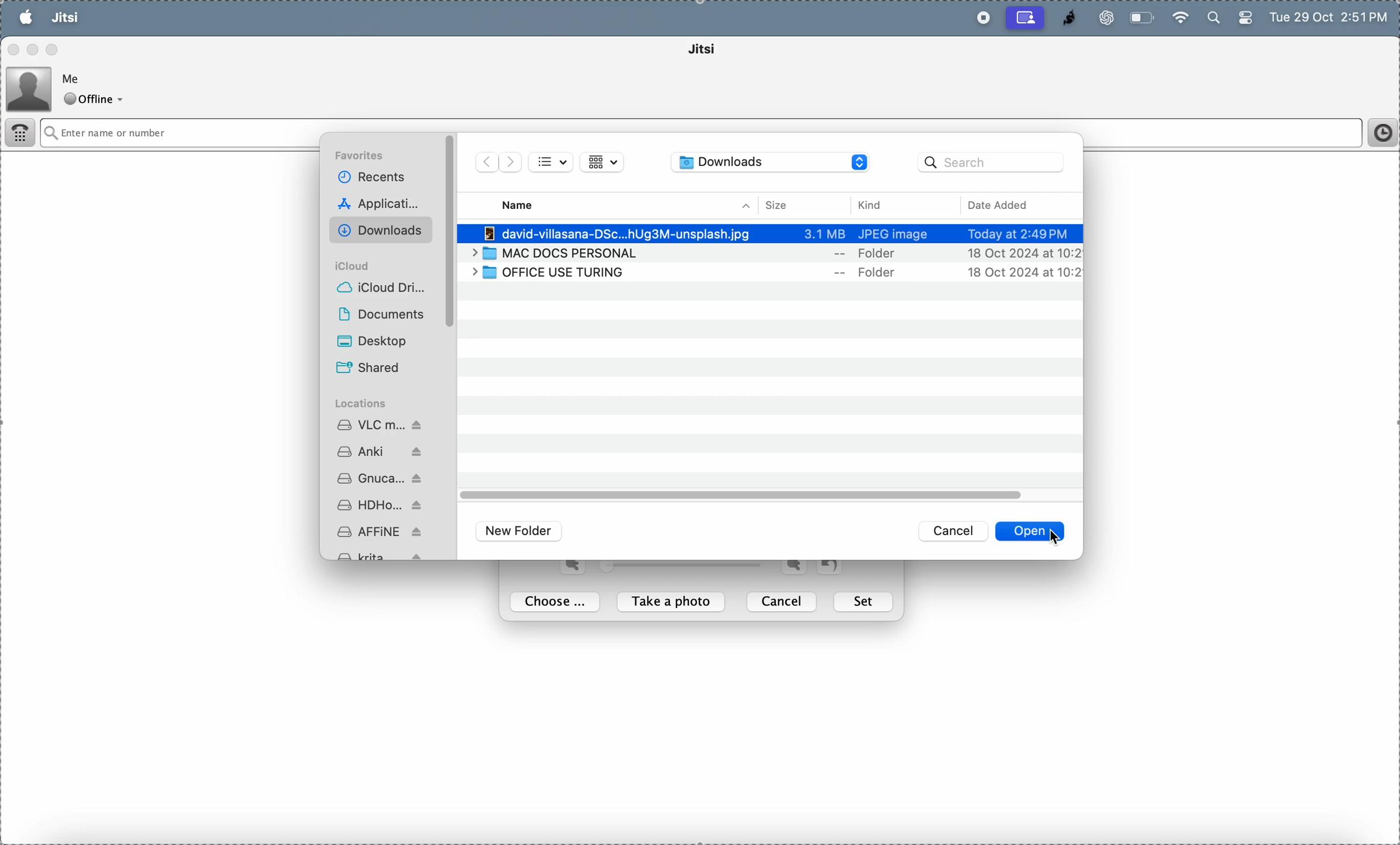 Image resolution: width=1400 pixels, height=845 pixels. What do you see at coordinates (26, 17) in the screenshot?
I see `apple menu` at bounding box center [26, 17].